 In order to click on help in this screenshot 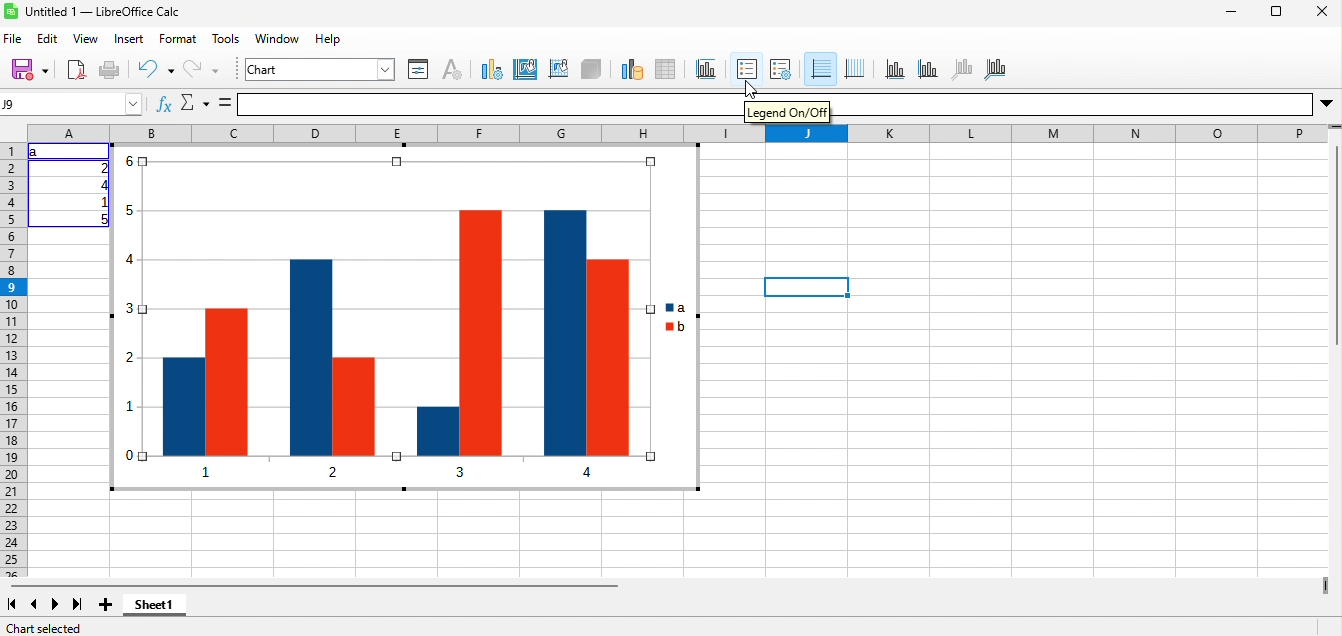, I will do `click(329, 40)`.